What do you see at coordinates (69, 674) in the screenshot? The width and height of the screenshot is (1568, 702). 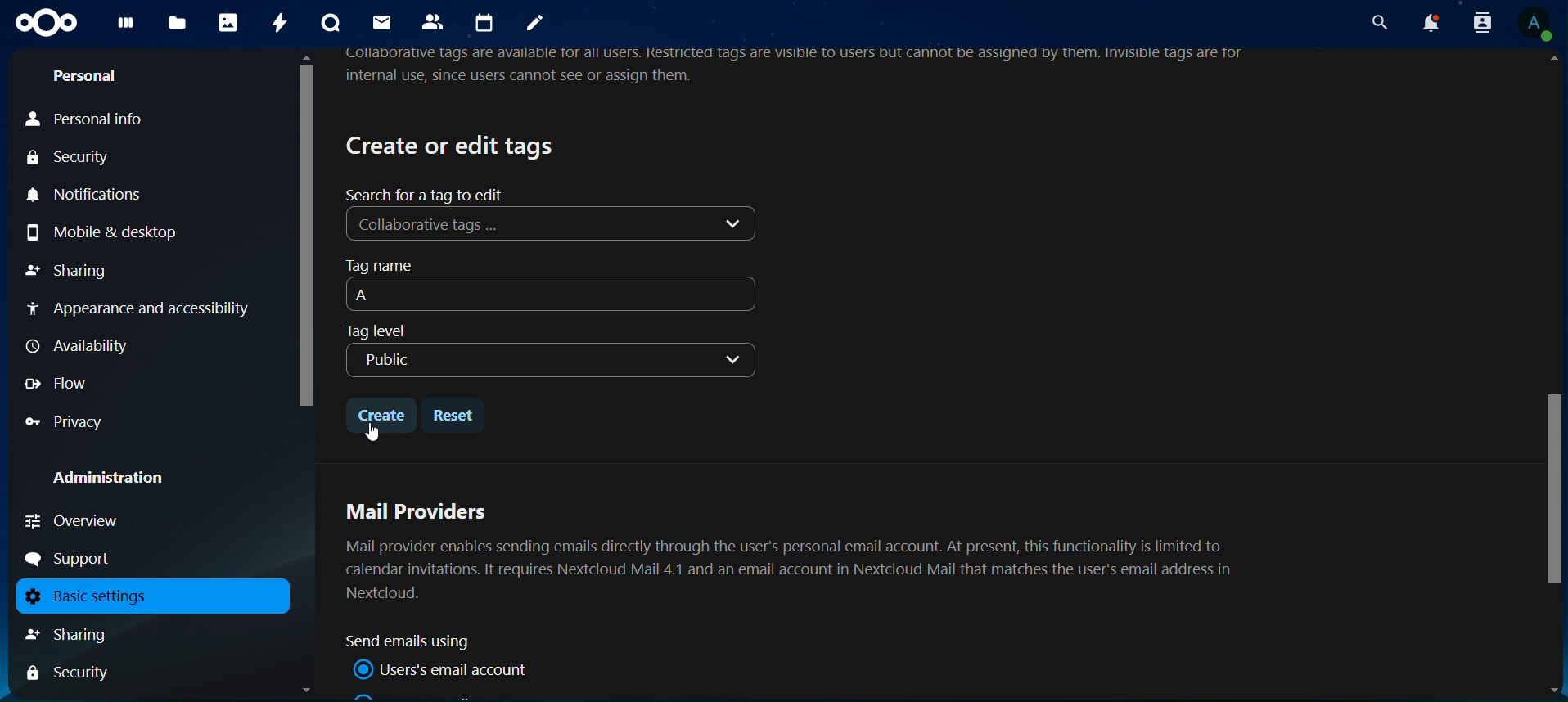 I see `Security` at bounding box center [69, 674].